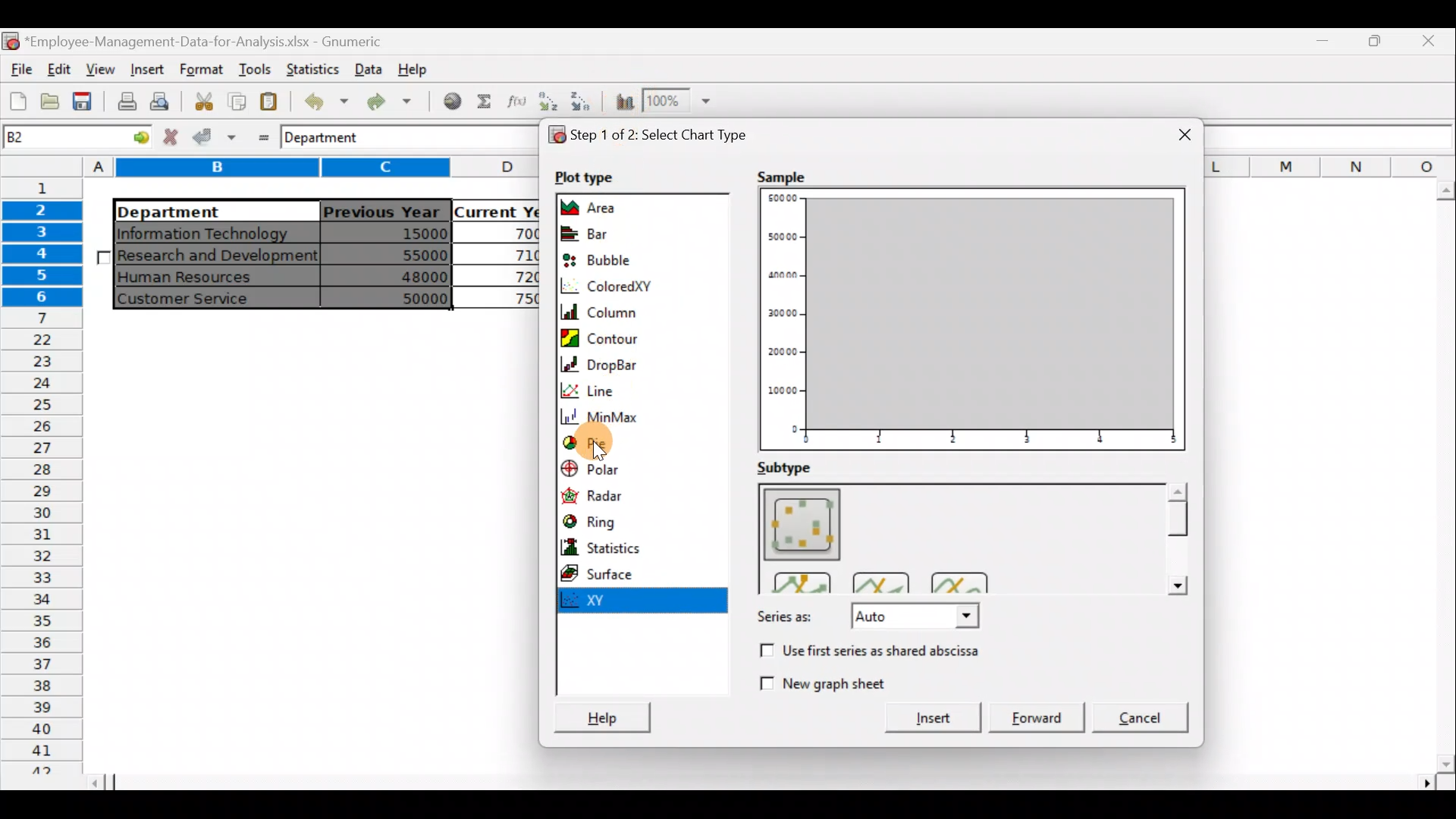 This screenshot has height=819, width=1456. What do you see at coordinates (453, 102) in the screenshot?
I see `Insert hyperlink` at bounding box center [453, 102].